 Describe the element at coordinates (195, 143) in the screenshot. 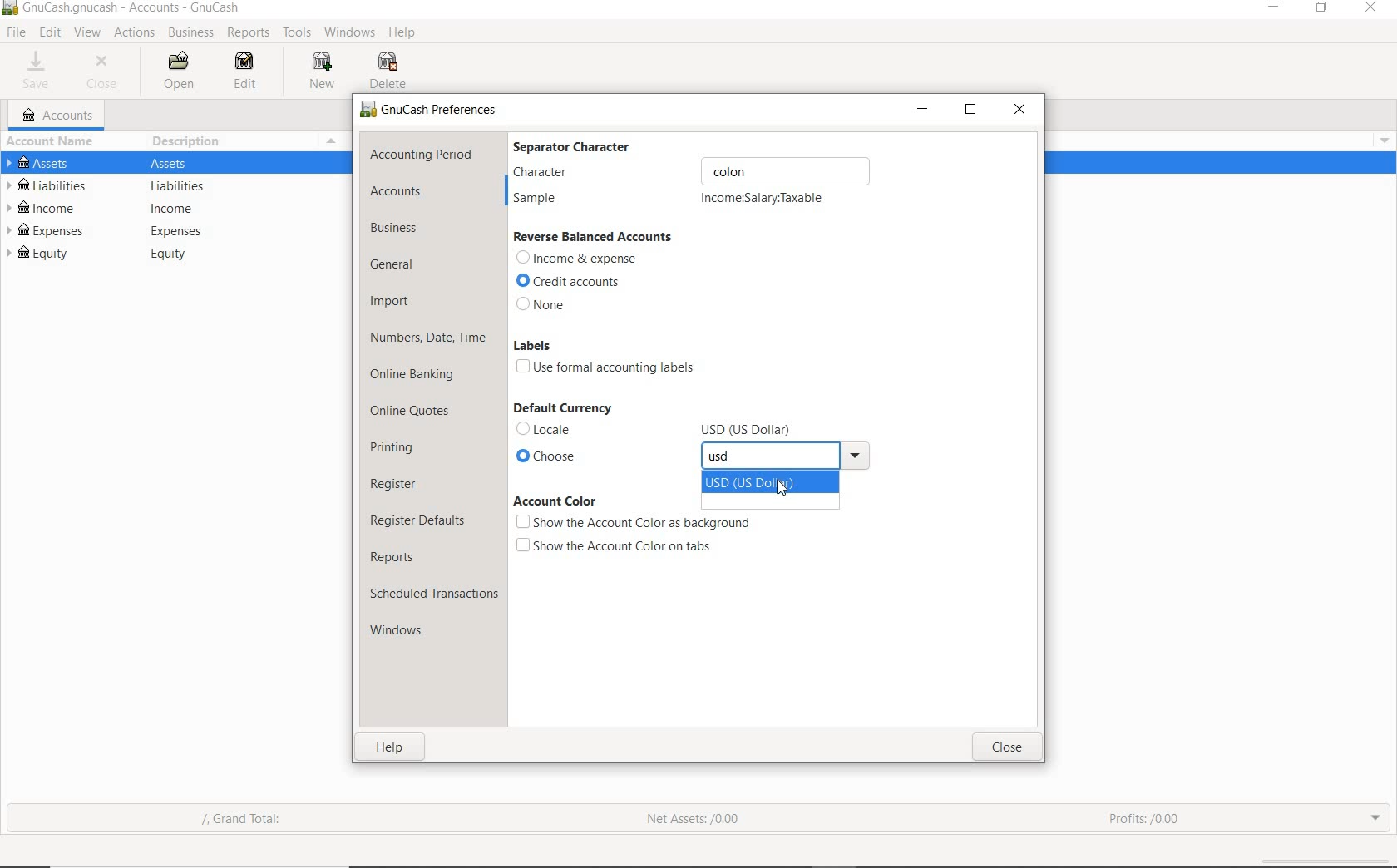

I see `DESCRIPTION` at that location.